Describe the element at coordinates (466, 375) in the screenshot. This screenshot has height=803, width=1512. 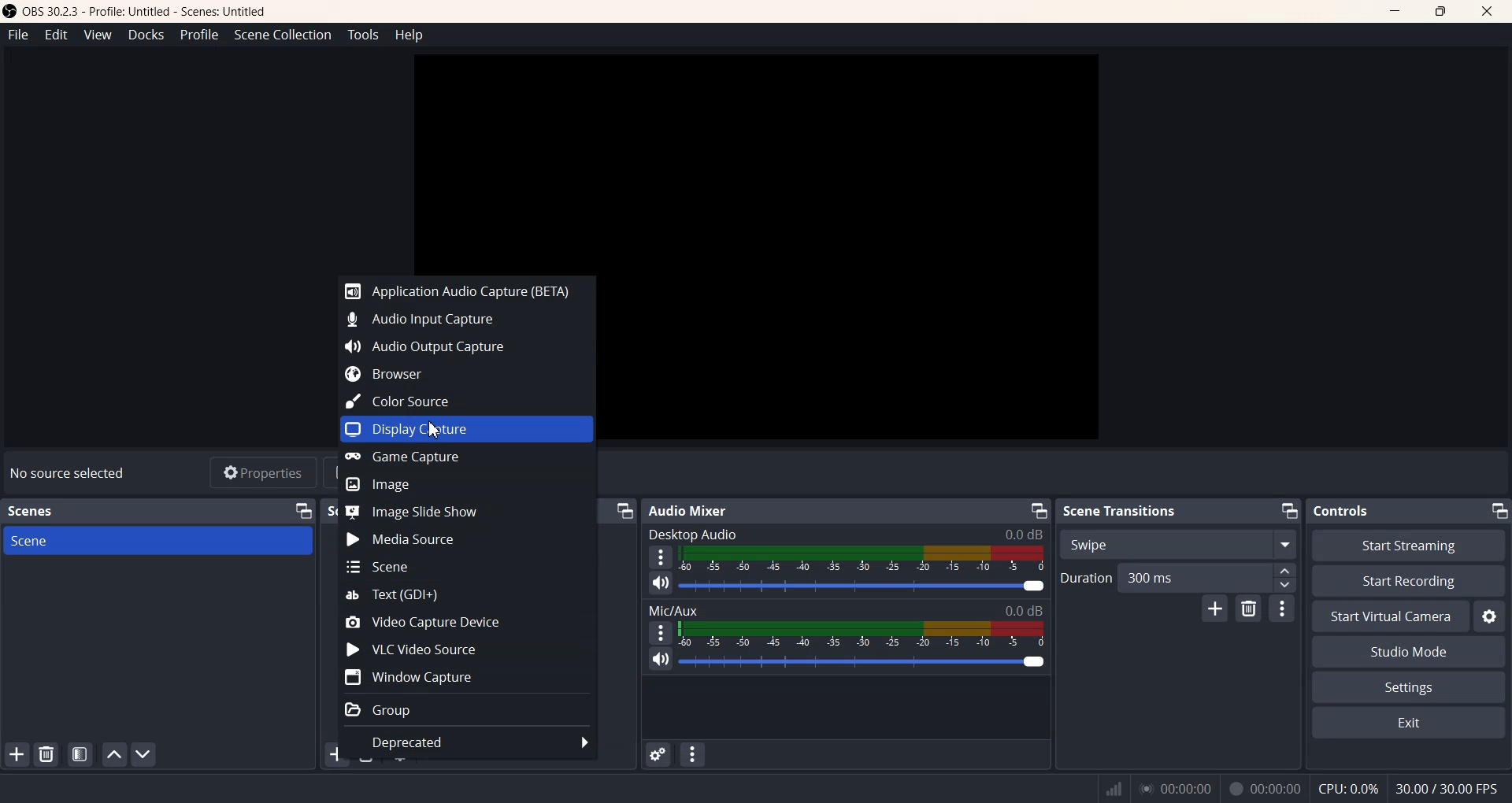
I see `Browser` at that location.